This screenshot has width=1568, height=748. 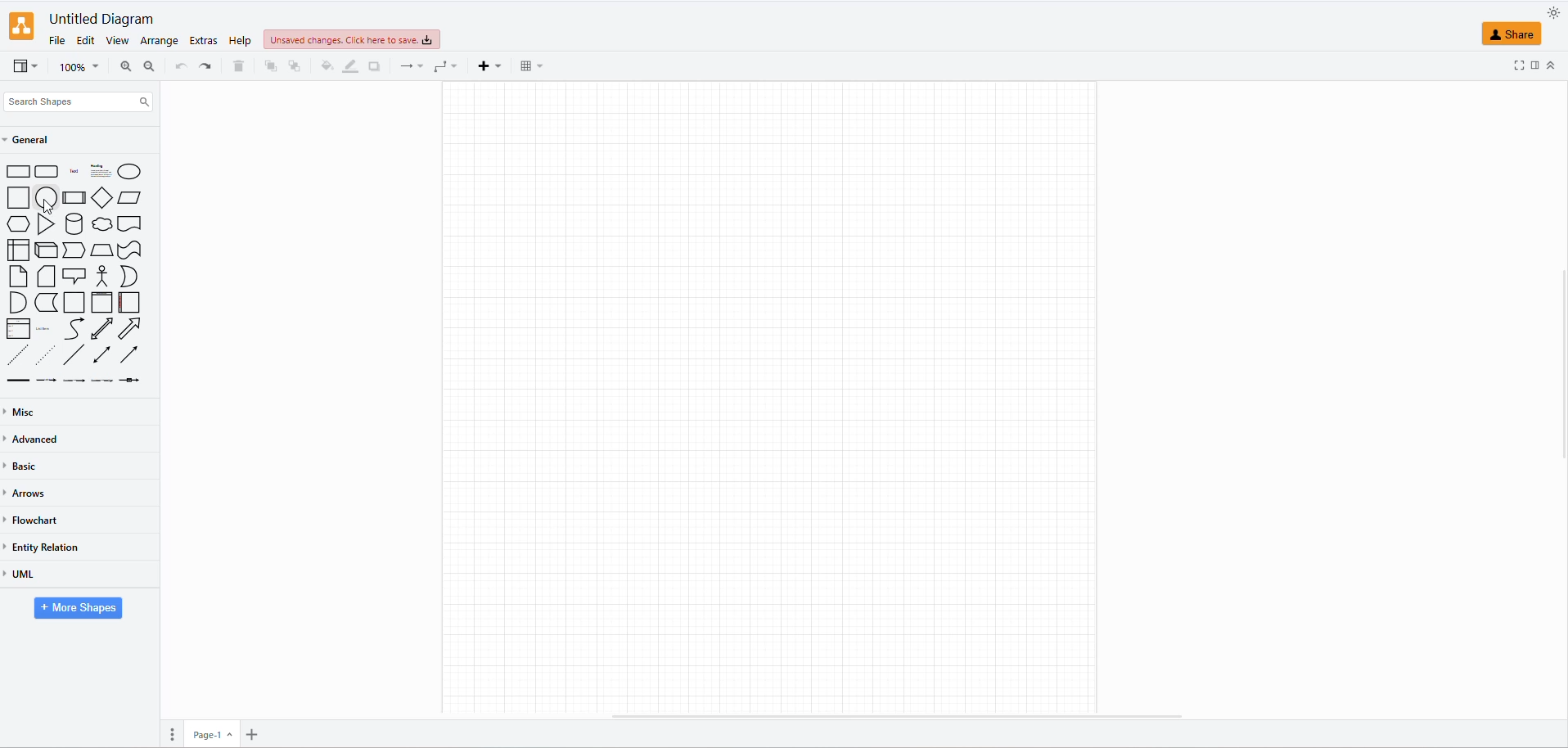 What do you see at coordinates (113, 42) in the screenshot?
I see `VIEW` at bounding box center [113, 42].